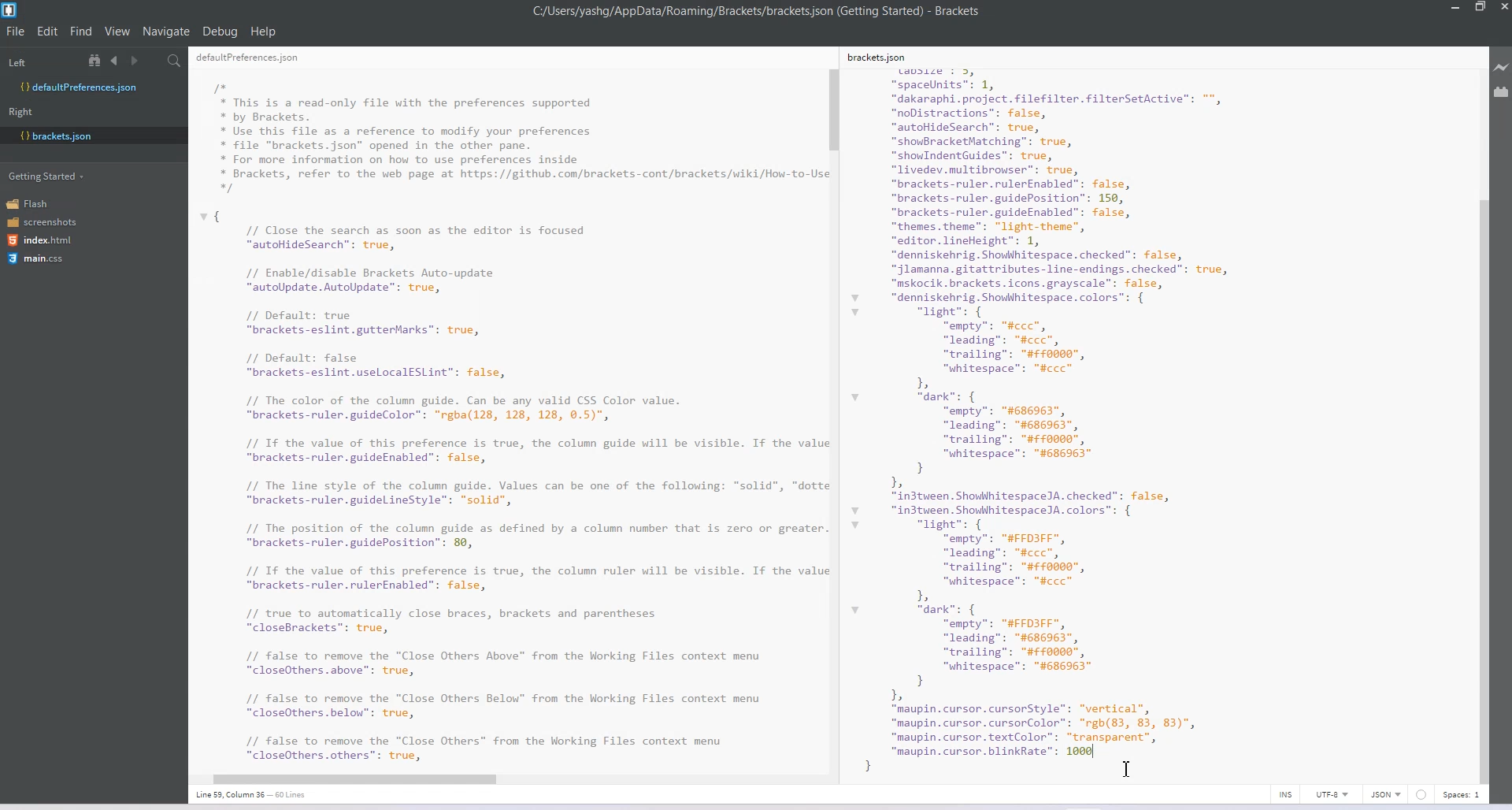 The image size is (1512, 810). What do you see at coordinates (93, 87) in the screenshot?
I see `Defaultpreferences.json` at bounding box center [93, 87].